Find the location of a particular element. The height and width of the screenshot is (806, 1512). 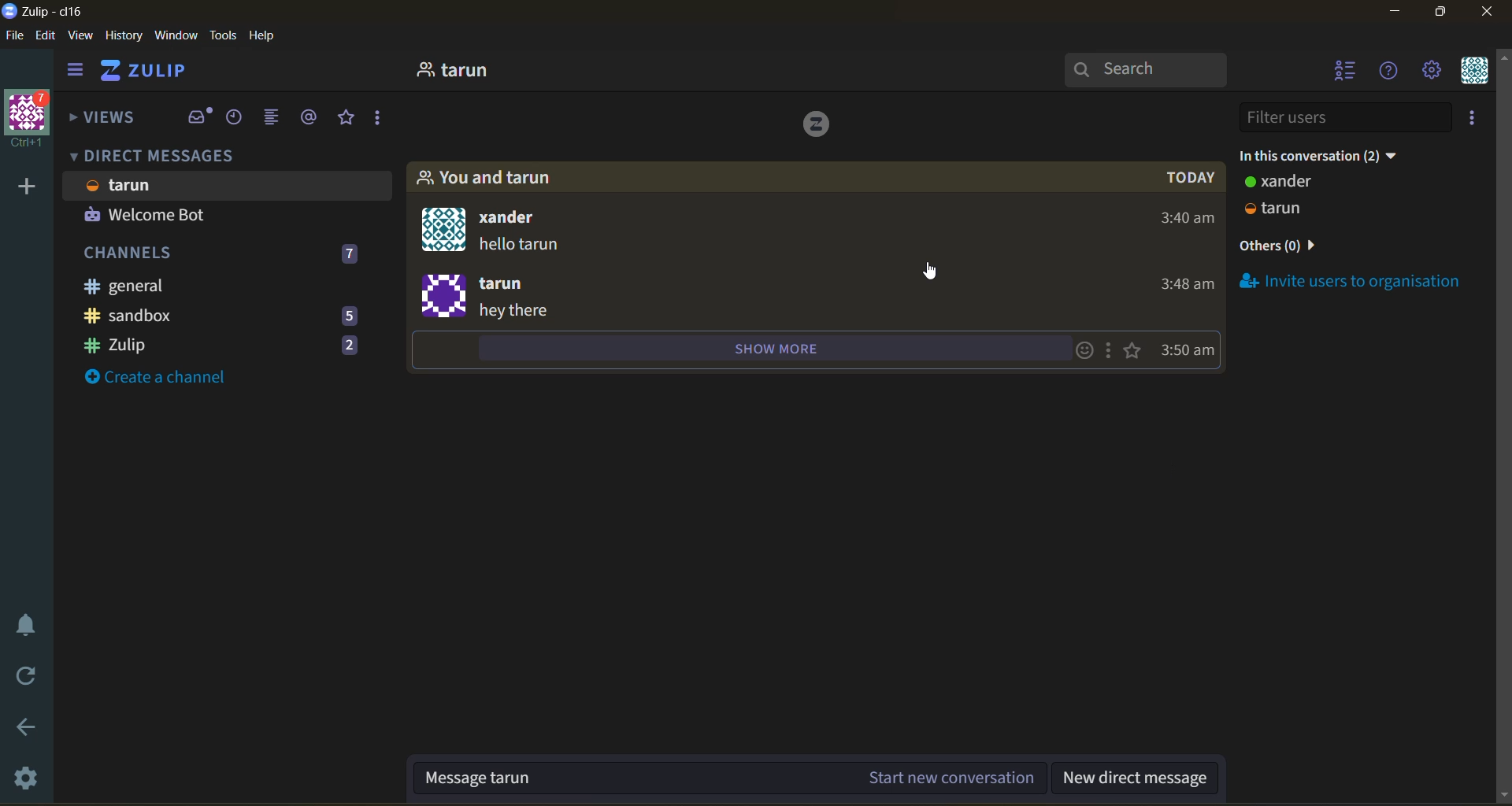

sandbox is located at coordinates (234, 317).